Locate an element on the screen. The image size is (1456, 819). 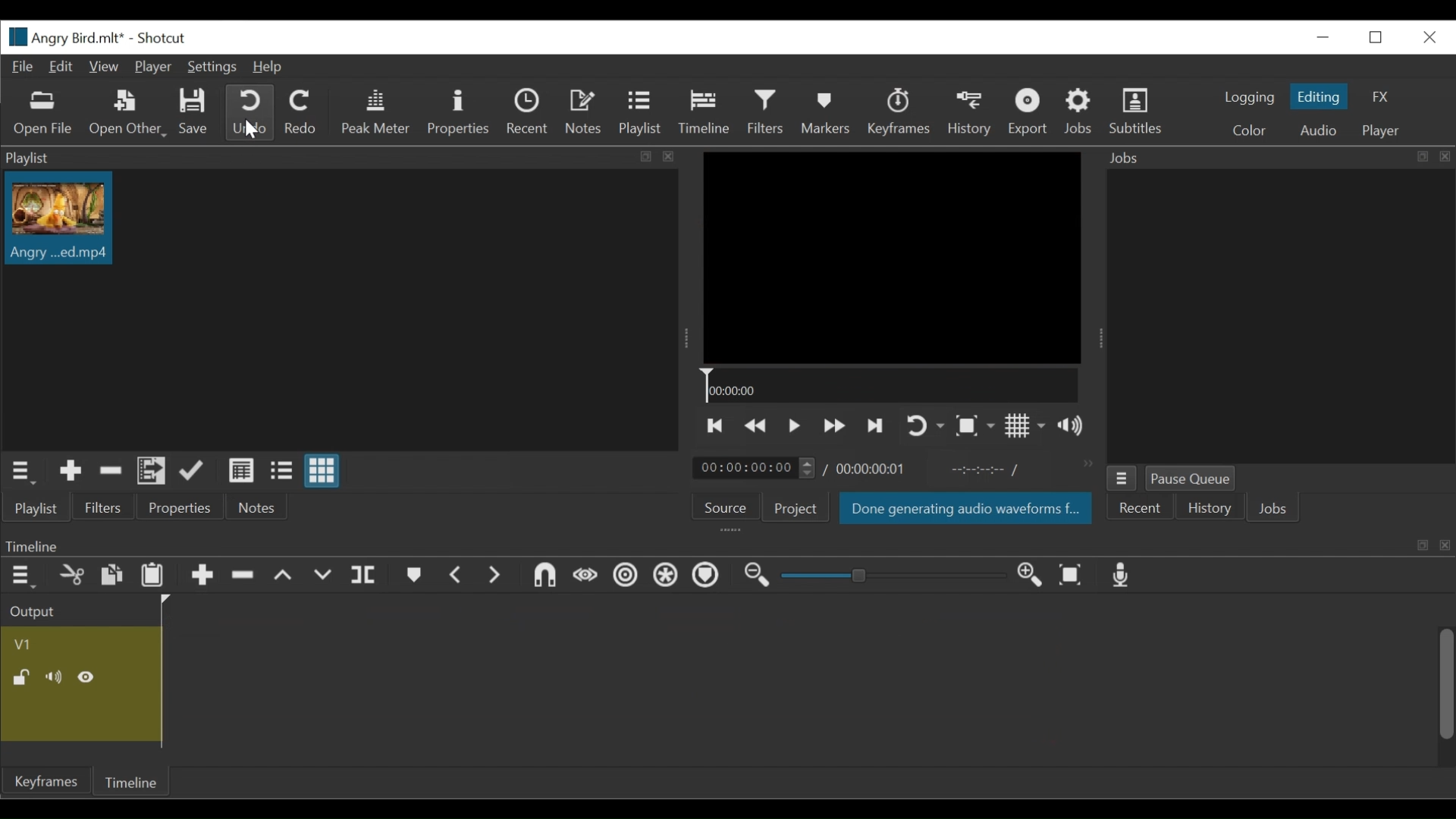
Timeline is located at coordinates (890, 387).